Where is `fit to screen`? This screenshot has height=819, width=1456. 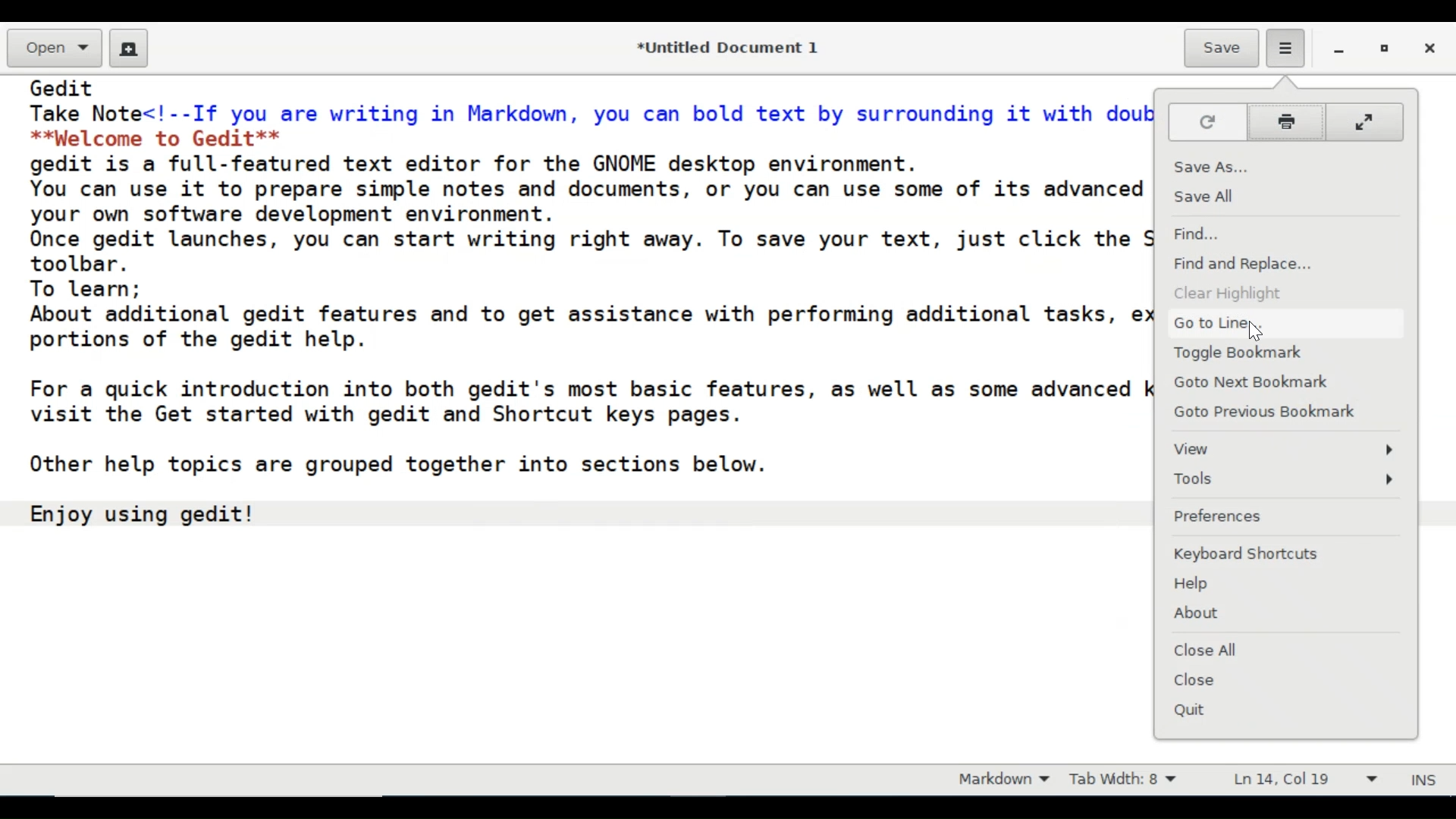
fit to screen is located at coordinates (1367, 121).